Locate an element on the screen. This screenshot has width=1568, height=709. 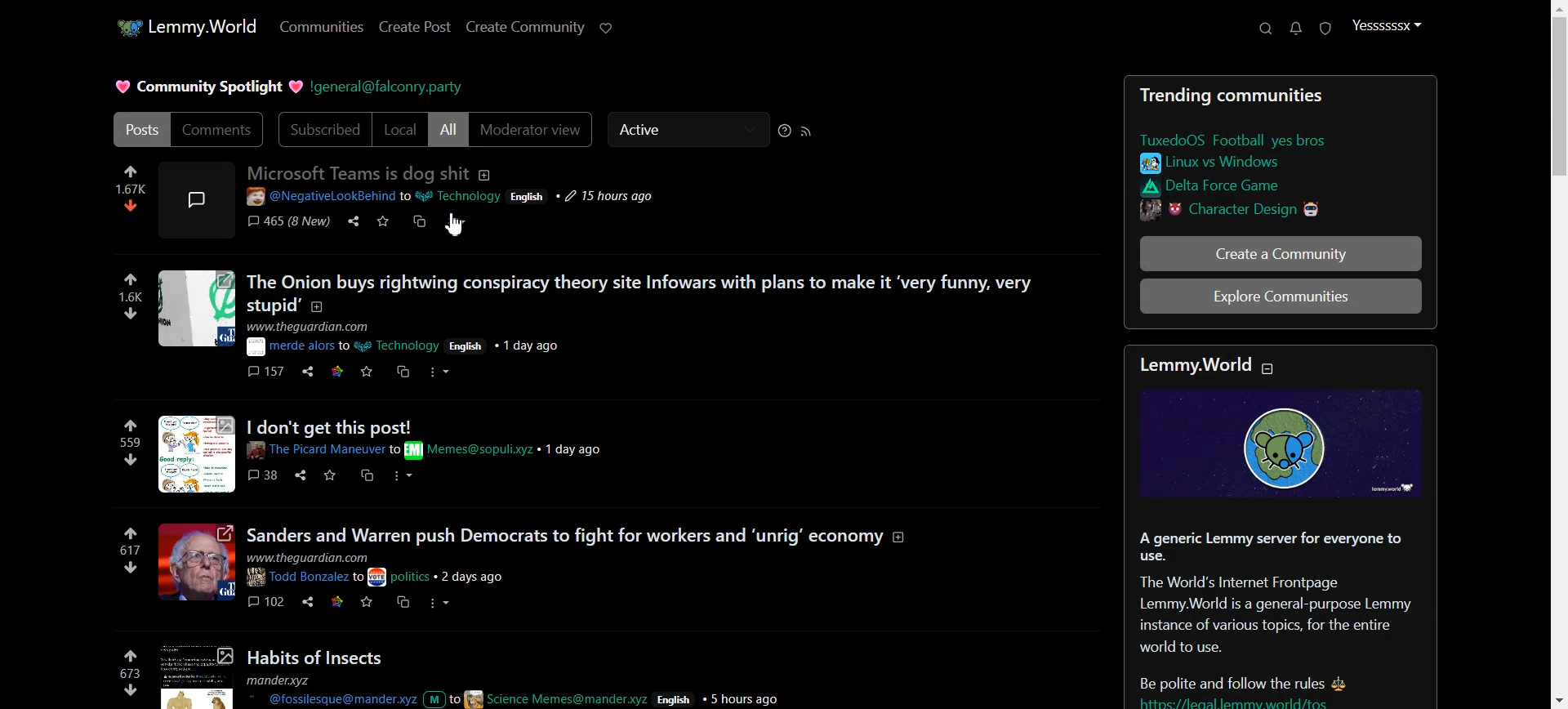
link is located at coordinates (1253, 140).